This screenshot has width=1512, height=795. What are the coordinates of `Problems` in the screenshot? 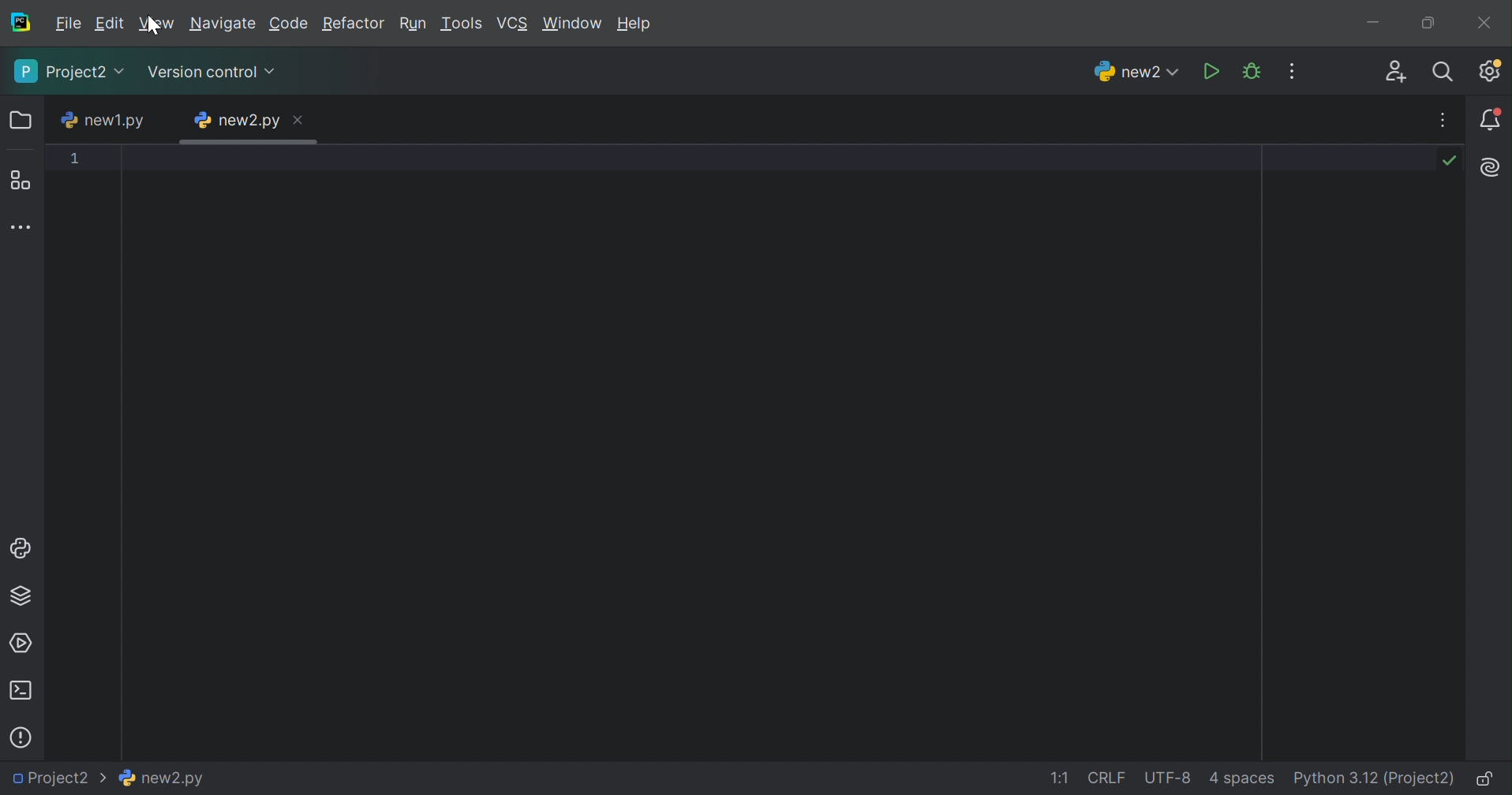 It's located at (23, 737).